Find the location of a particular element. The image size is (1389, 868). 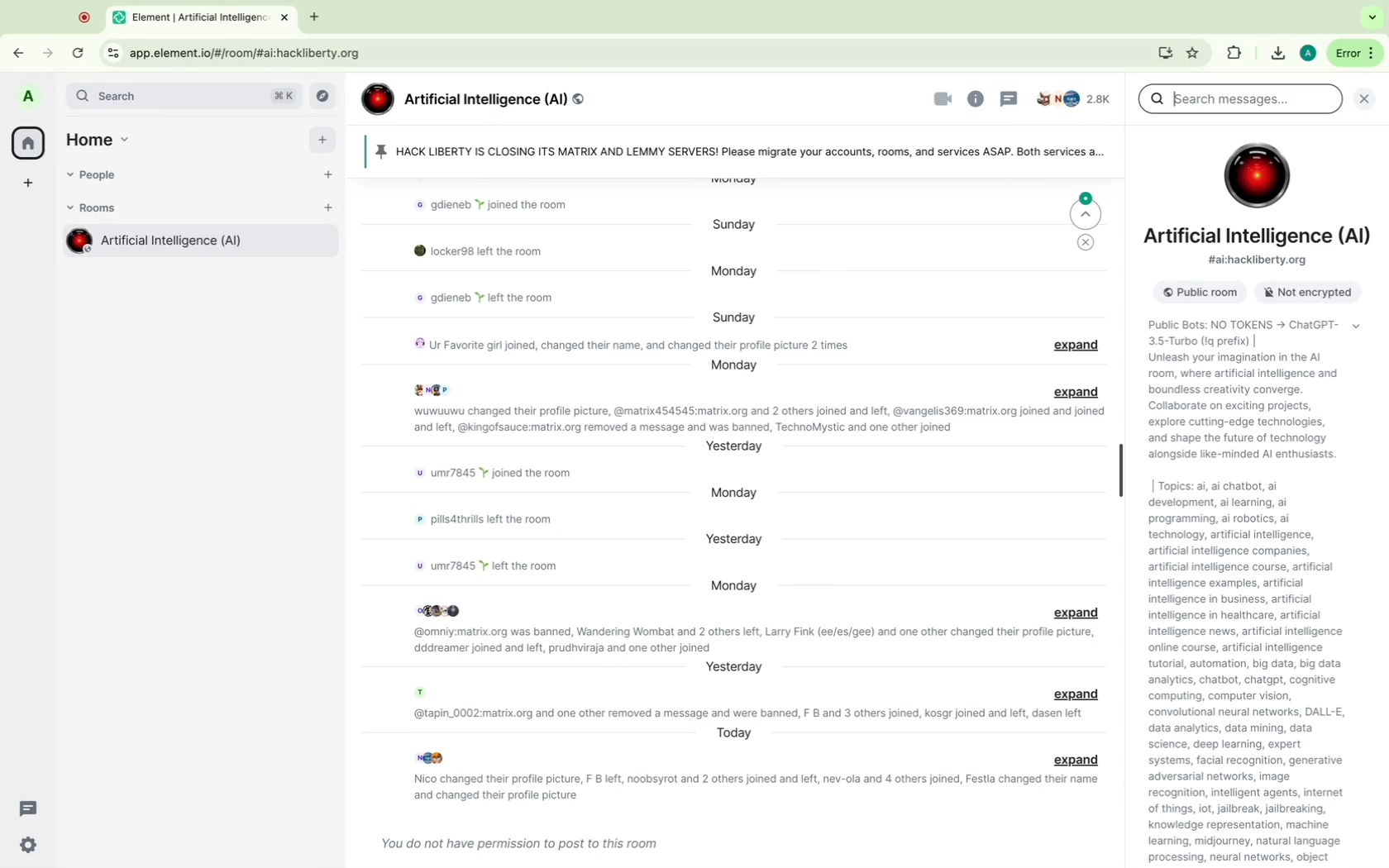

typing message is located at coordinates (1240, 101).